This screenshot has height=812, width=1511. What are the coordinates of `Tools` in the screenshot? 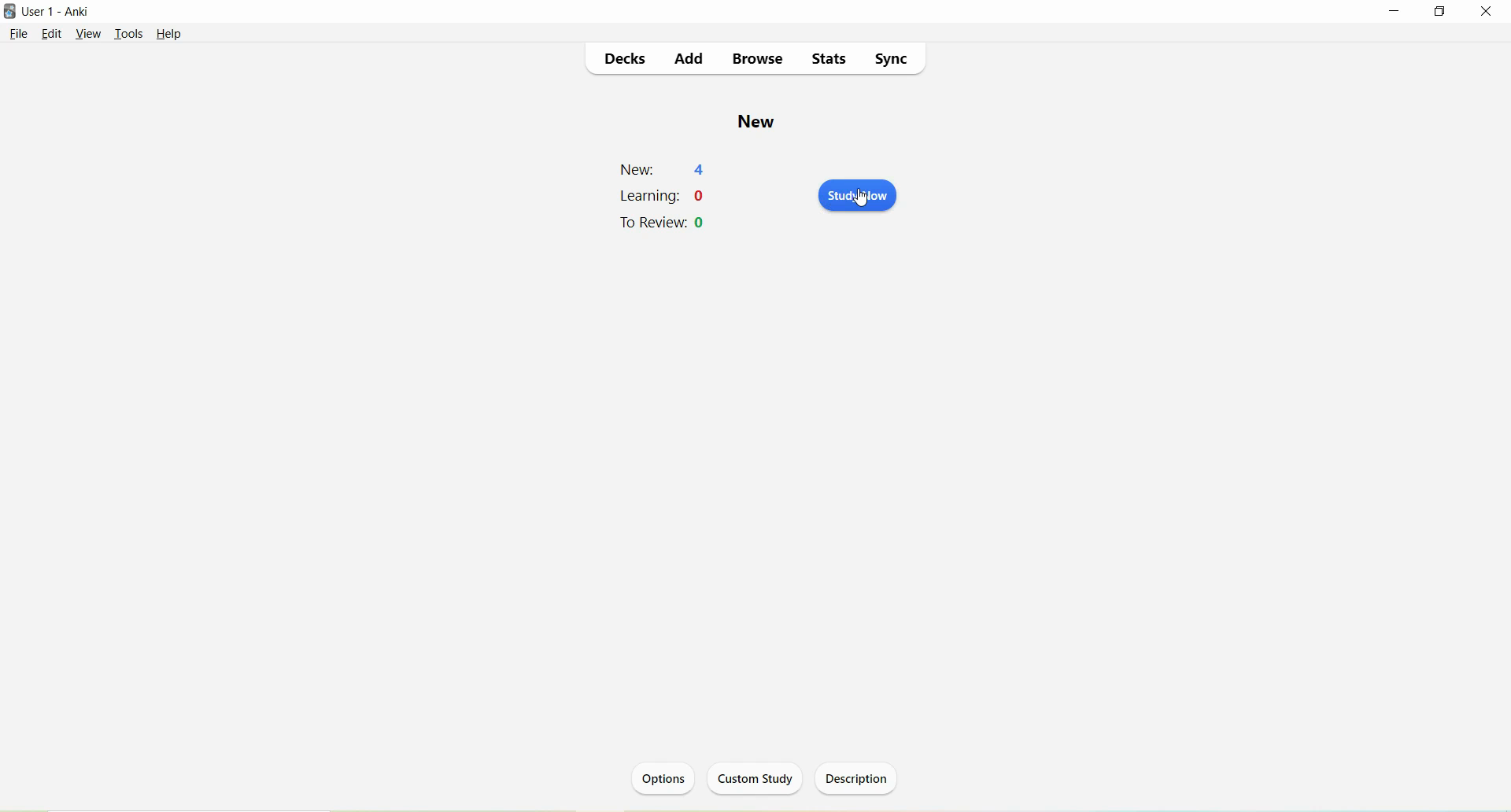 It's located at (128, 35).